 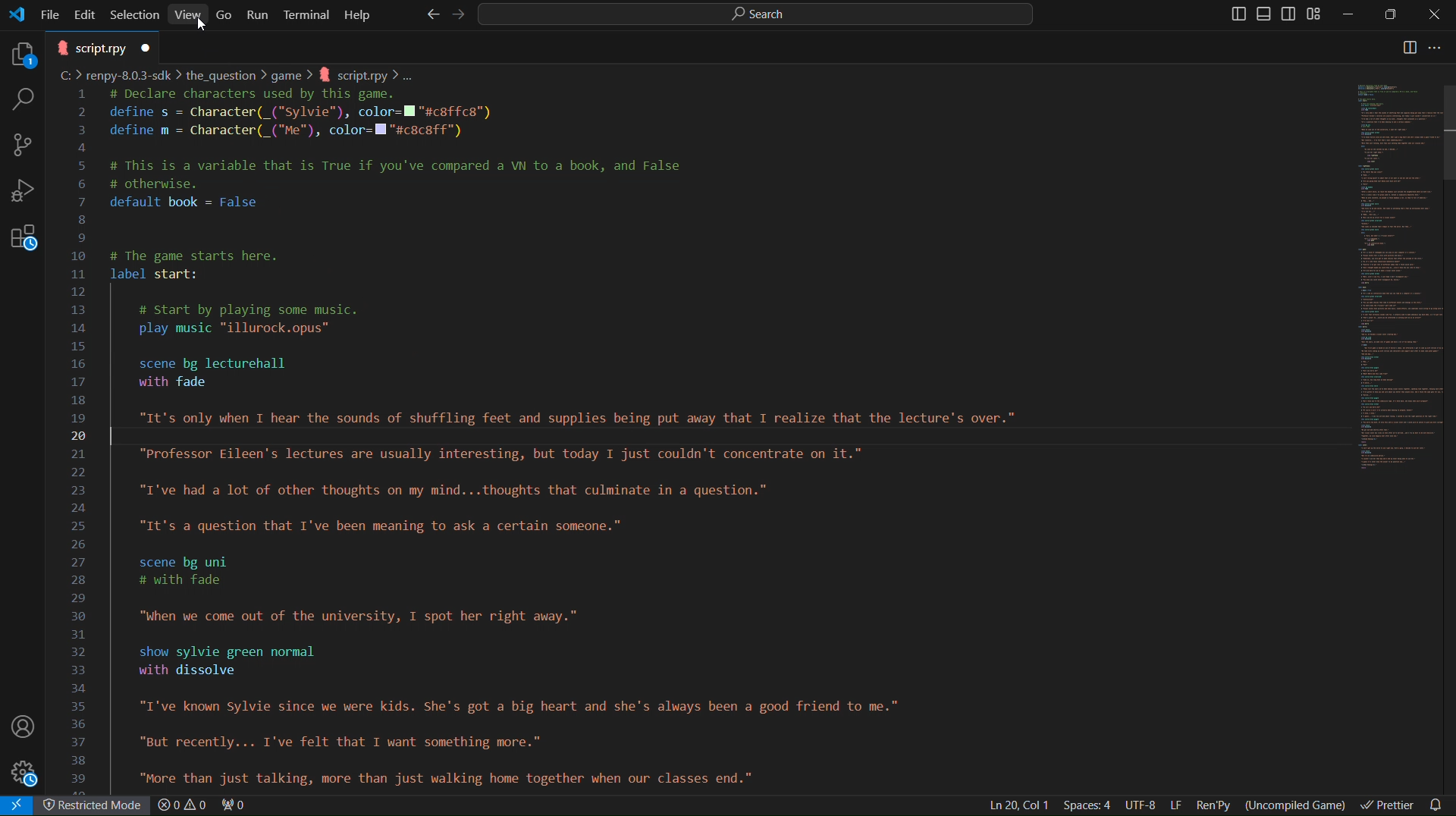 I want to click on Forward, so click(x=454, y=14).